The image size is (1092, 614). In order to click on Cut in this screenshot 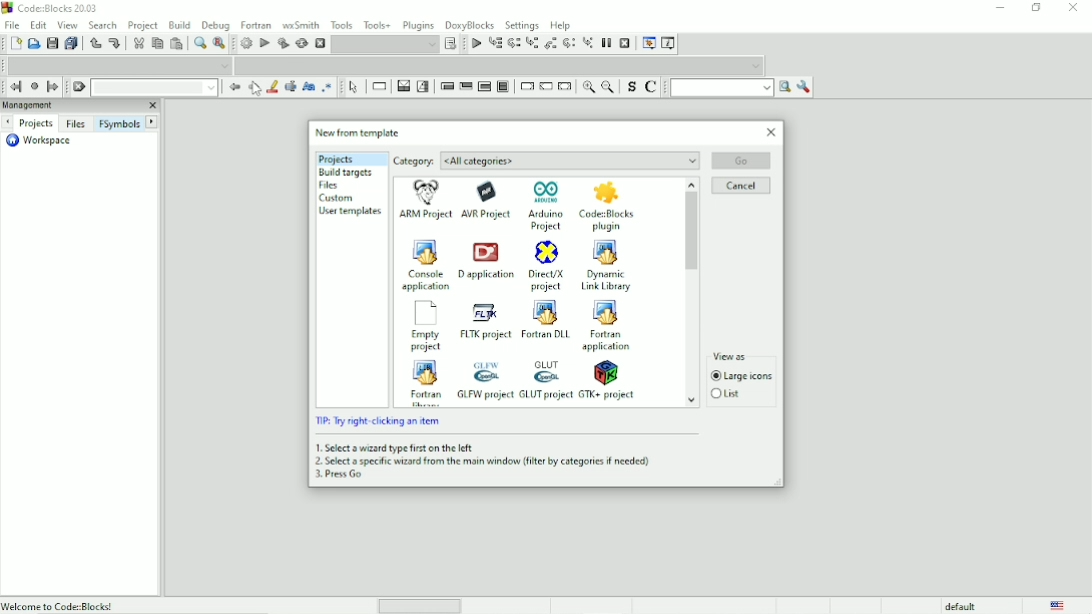, I will do `click(136, 44)`.